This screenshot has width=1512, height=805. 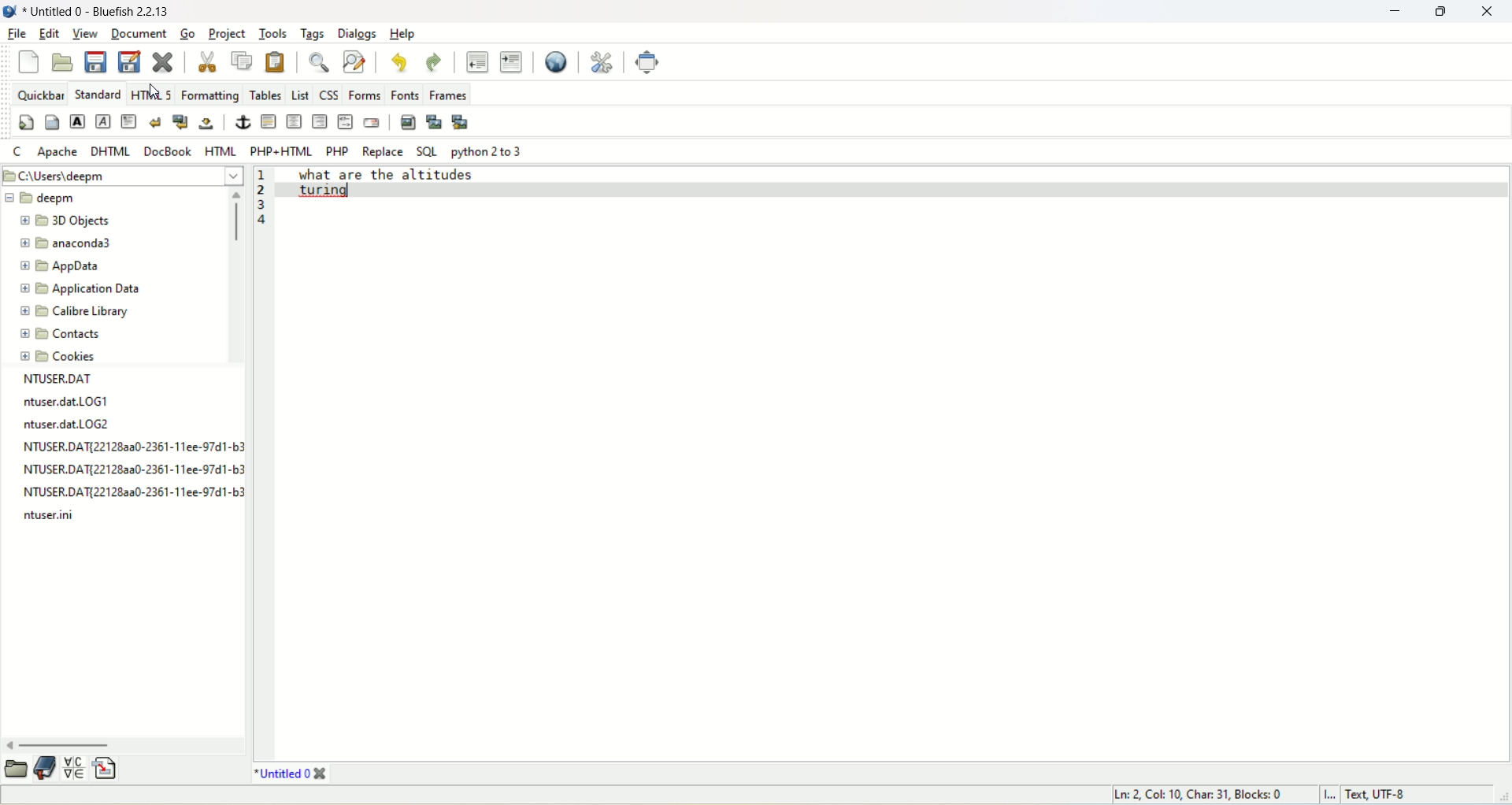 What do you see at coordinates (66, 269) in the screenshot?
I see `appdata` at bounding box center [66, 269].